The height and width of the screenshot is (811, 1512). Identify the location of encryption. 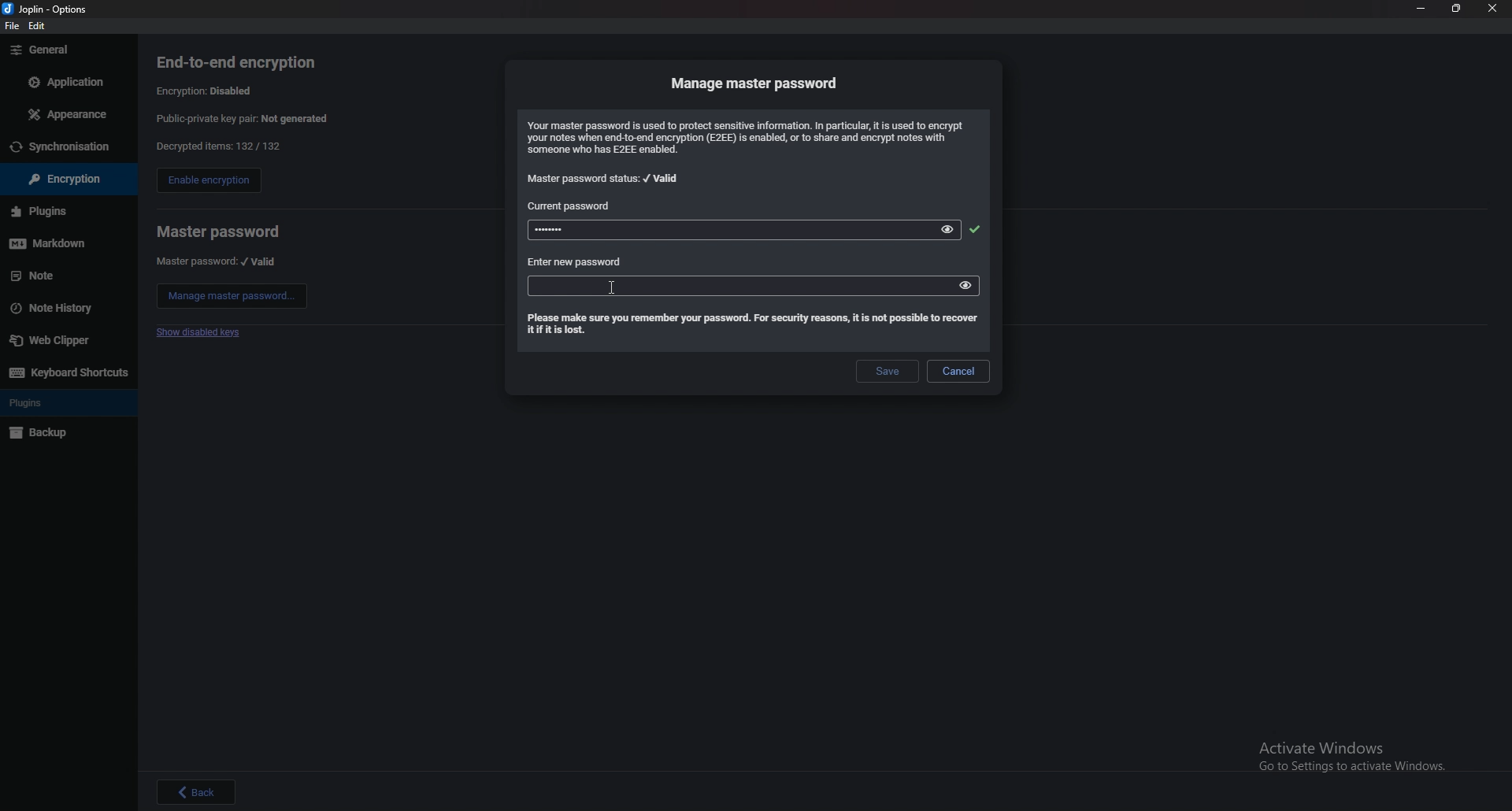
(60, 180).